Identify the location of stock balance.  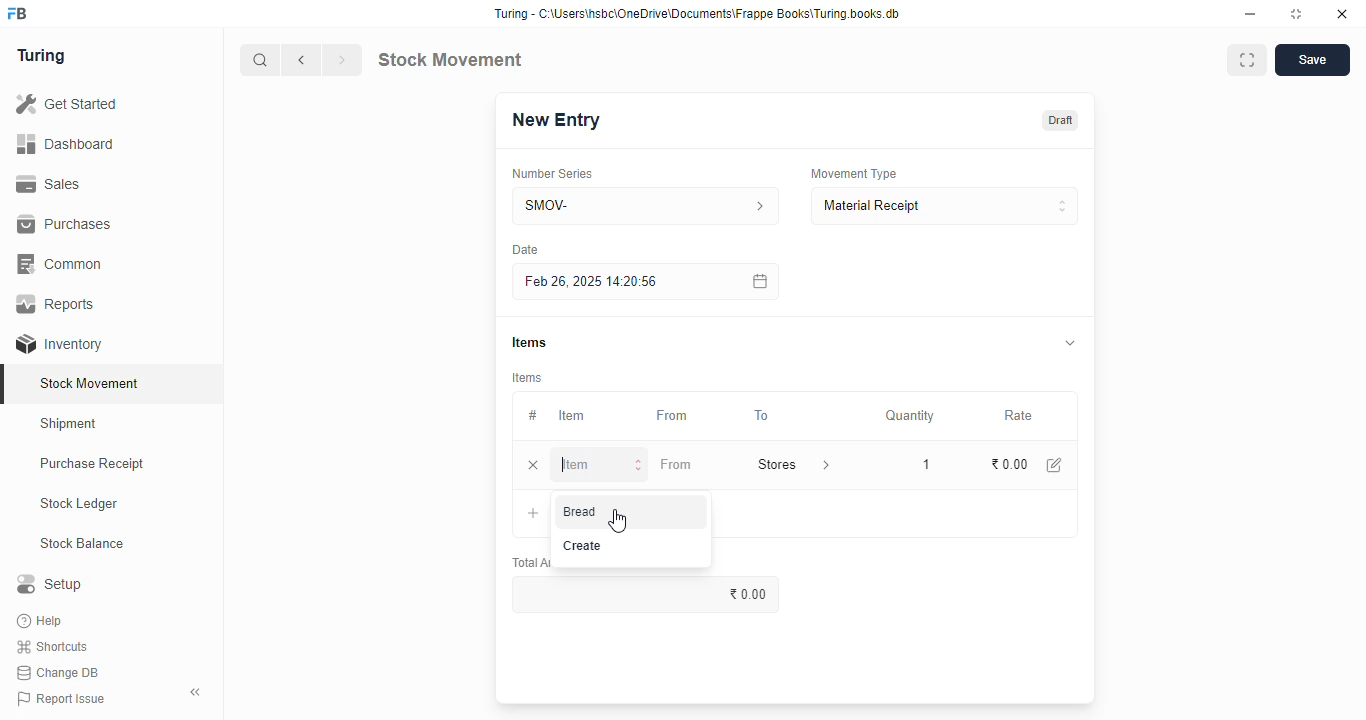
(83, 544).